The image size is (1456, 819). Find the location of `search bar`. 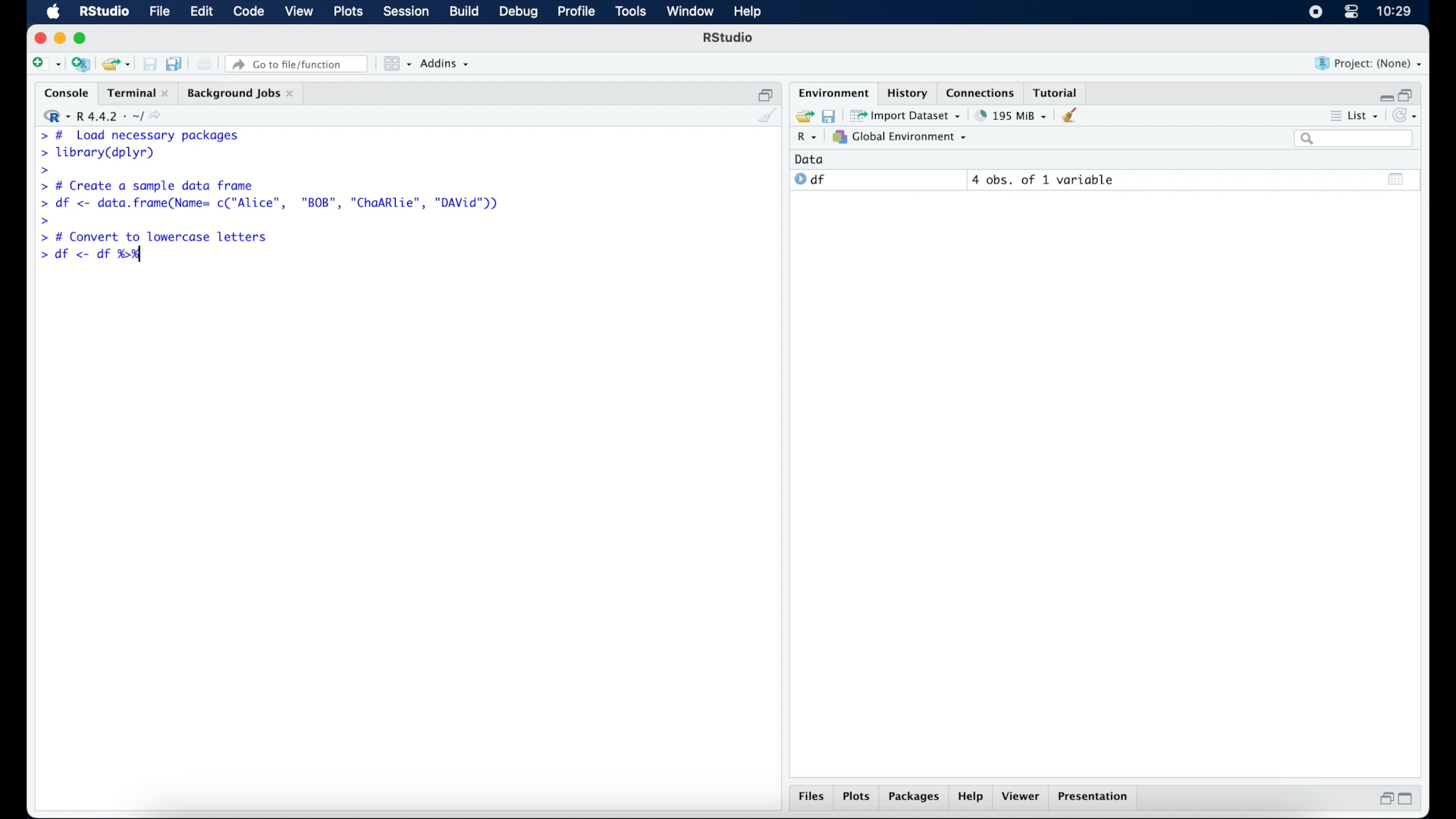

search bar is located at coordinates (1353, 140).